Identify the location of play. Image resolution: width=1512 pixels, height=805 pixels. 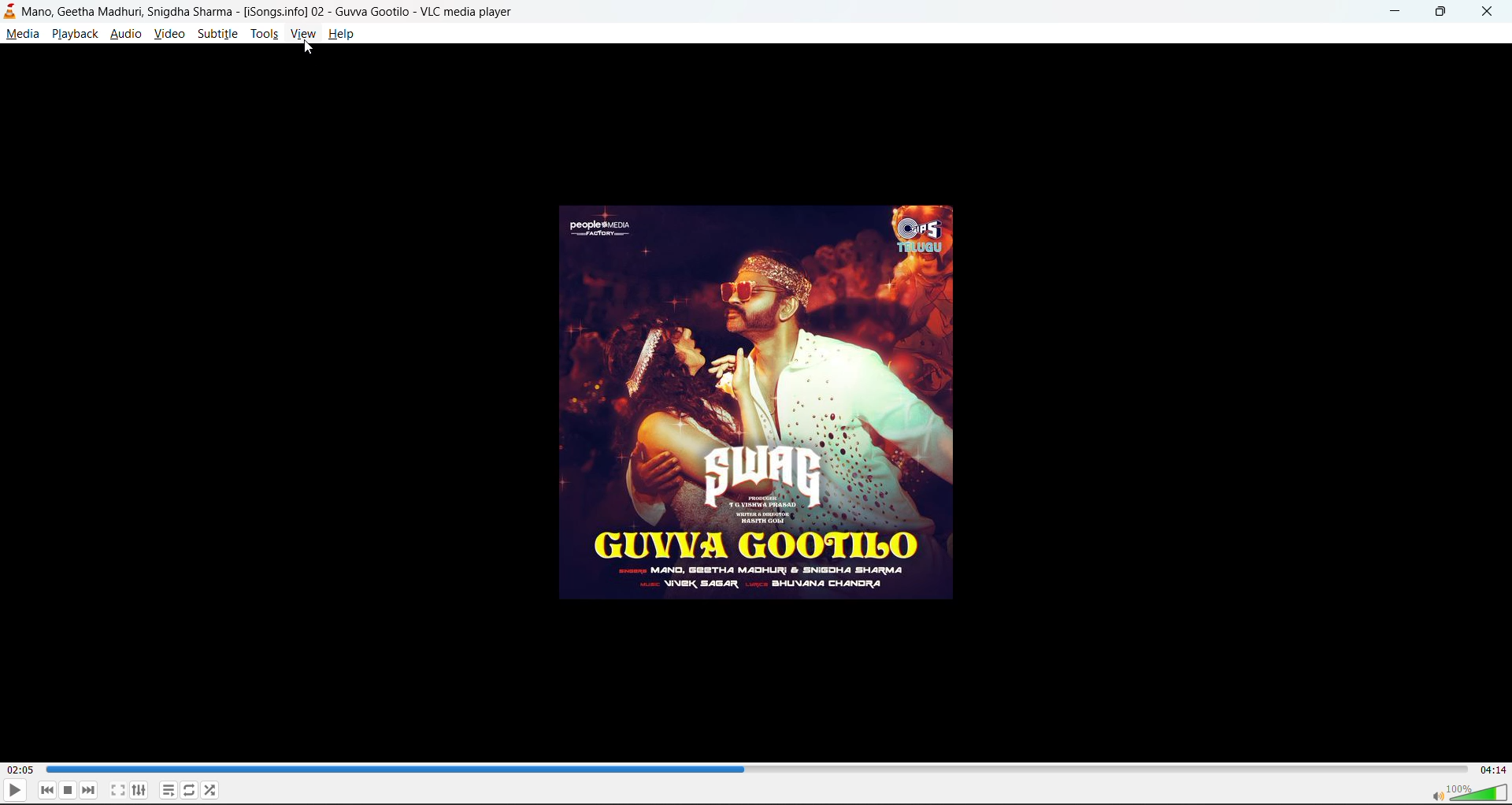
(15, 789).